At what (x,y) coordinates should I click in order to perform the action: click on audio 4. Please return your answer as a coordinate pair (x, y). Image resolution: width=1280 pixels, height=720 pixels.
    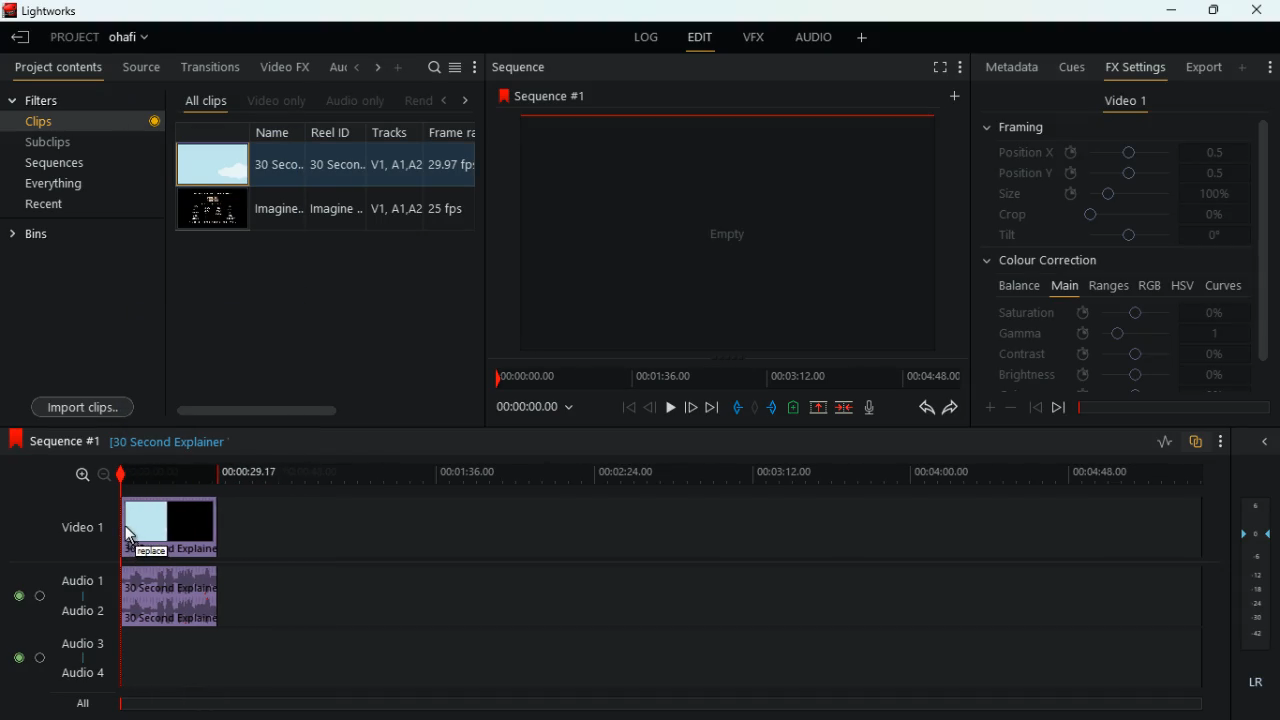
    Looking at the image, I should click on (80, 675).